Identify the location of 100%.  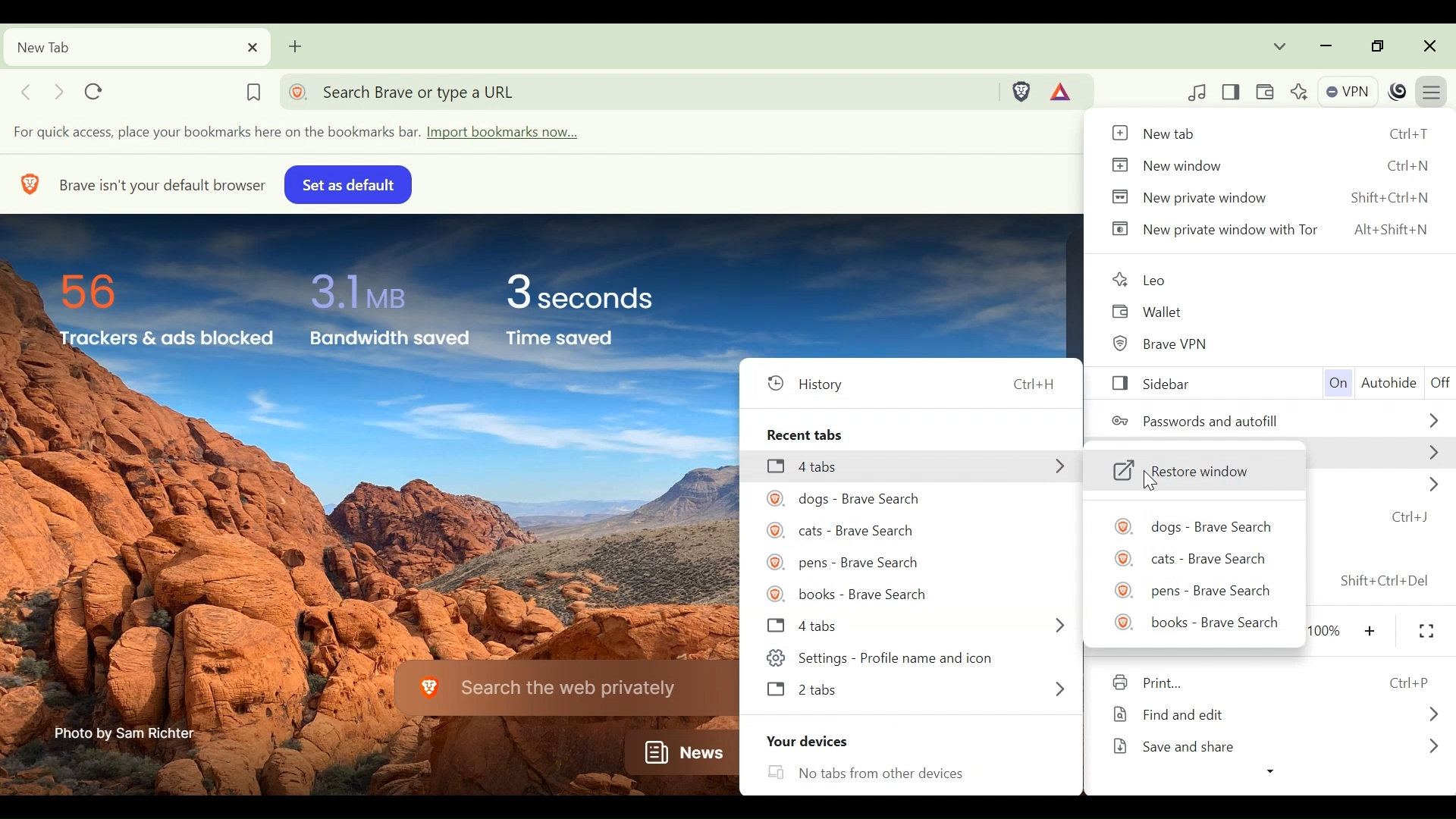
(1329, 628).